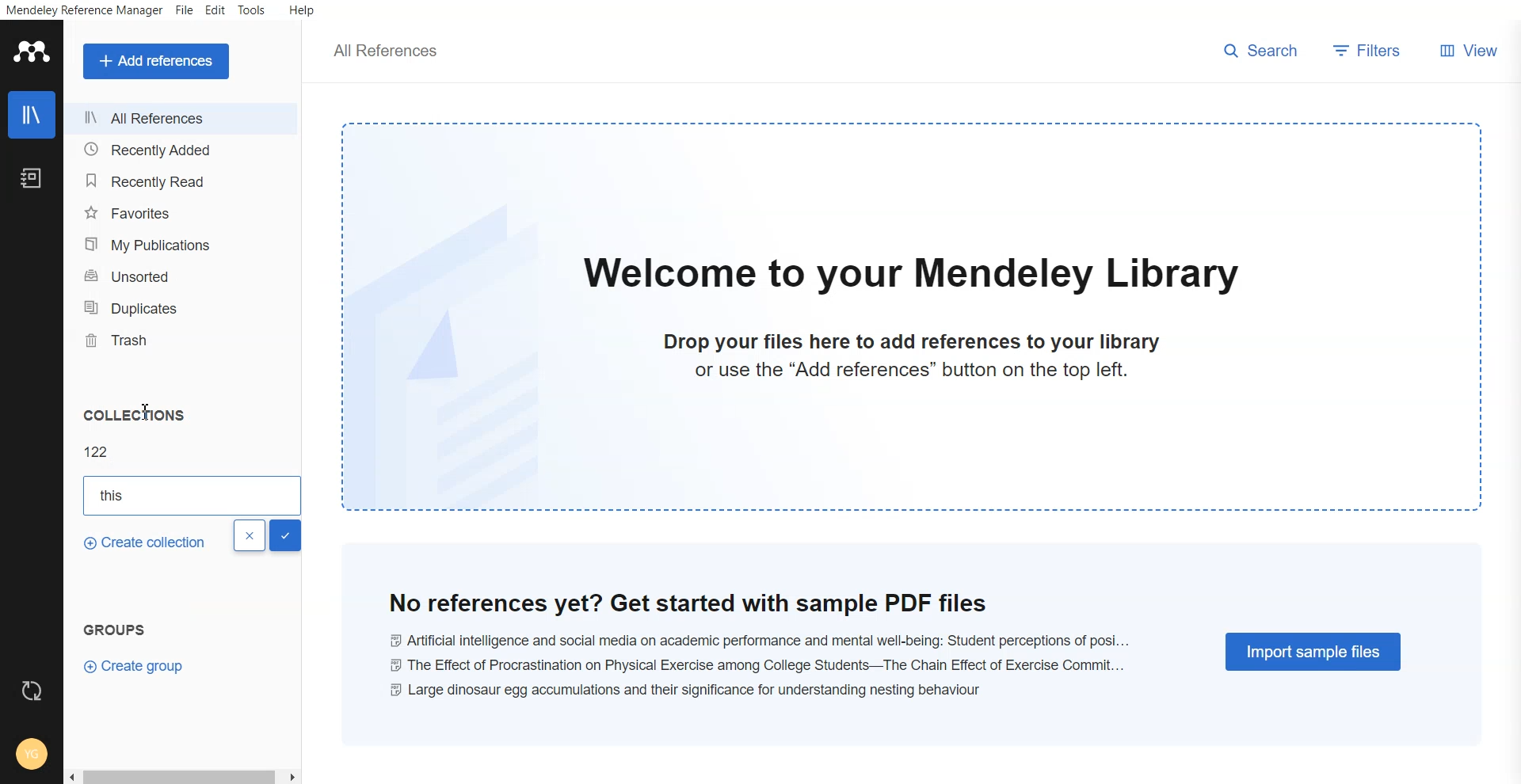  Describe the element at coordinates (696, 688) in the screenshot. I see `large dinosaur egg accumulations and their significance for understanding nestling behaviour` at that location.